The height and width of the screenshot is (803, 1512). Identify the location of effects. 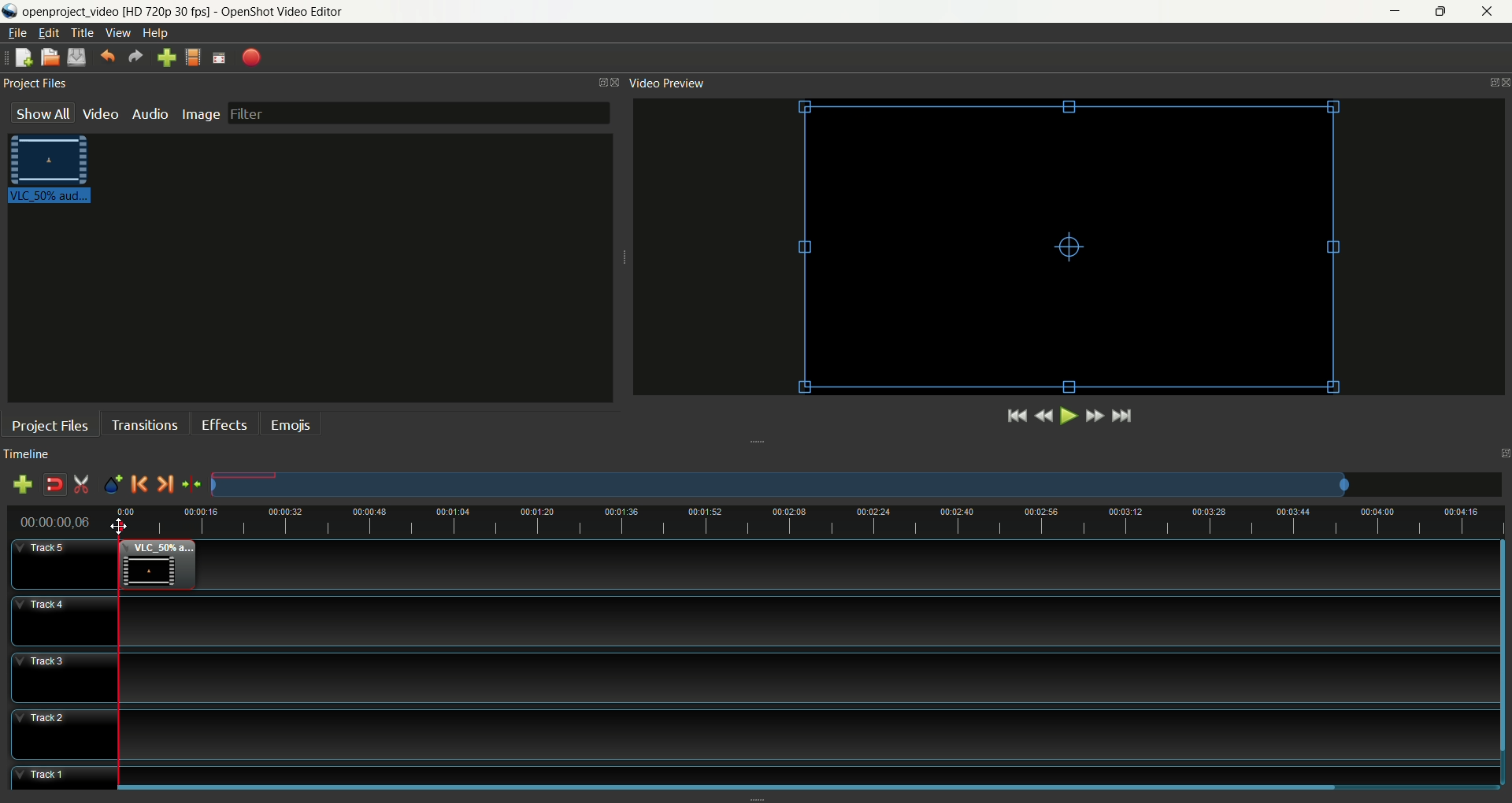
(224, 422).